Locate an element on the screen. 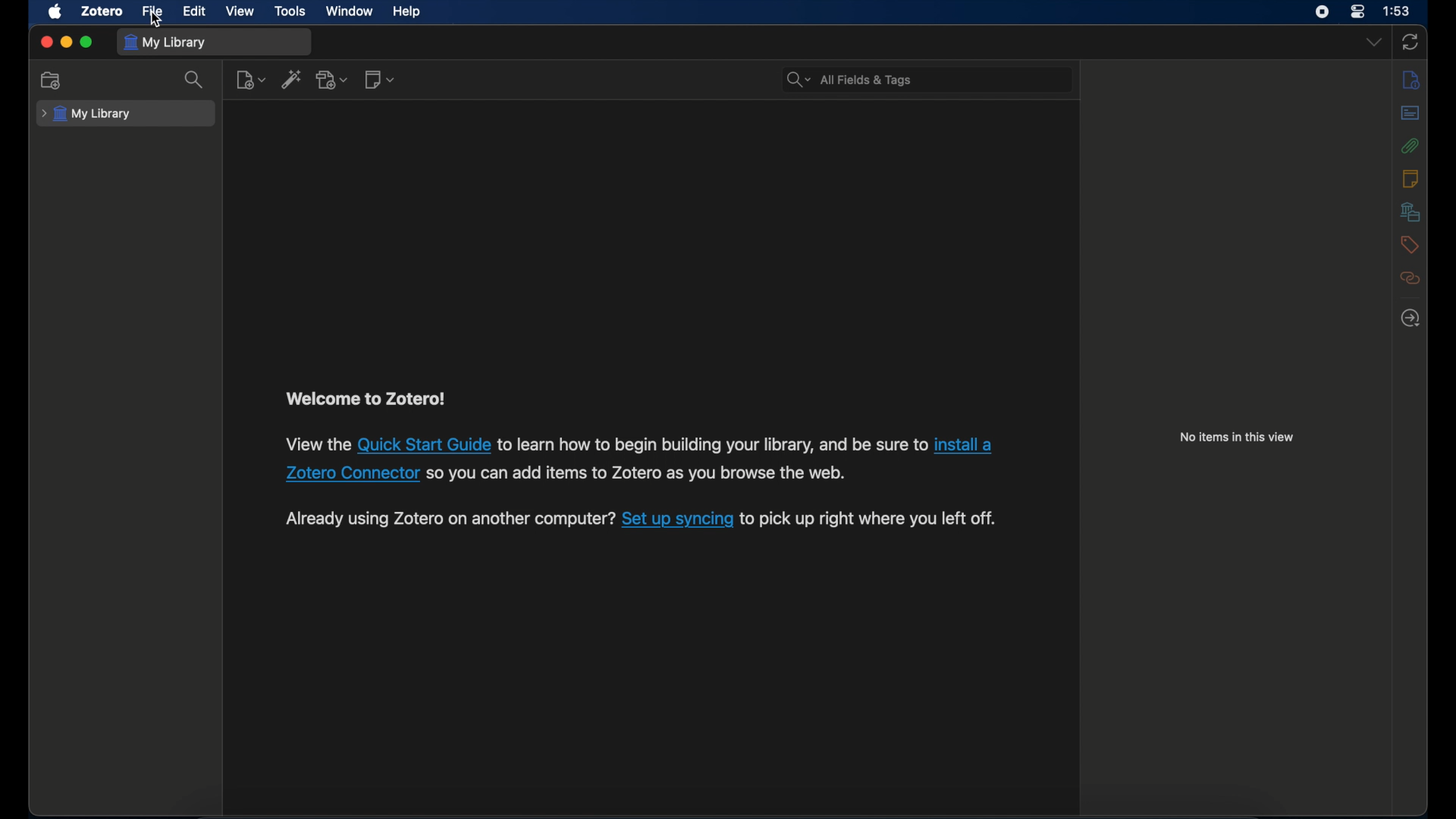 The width and height of the screenshot is (1456, 819). file is located at coordinates (153, 10).